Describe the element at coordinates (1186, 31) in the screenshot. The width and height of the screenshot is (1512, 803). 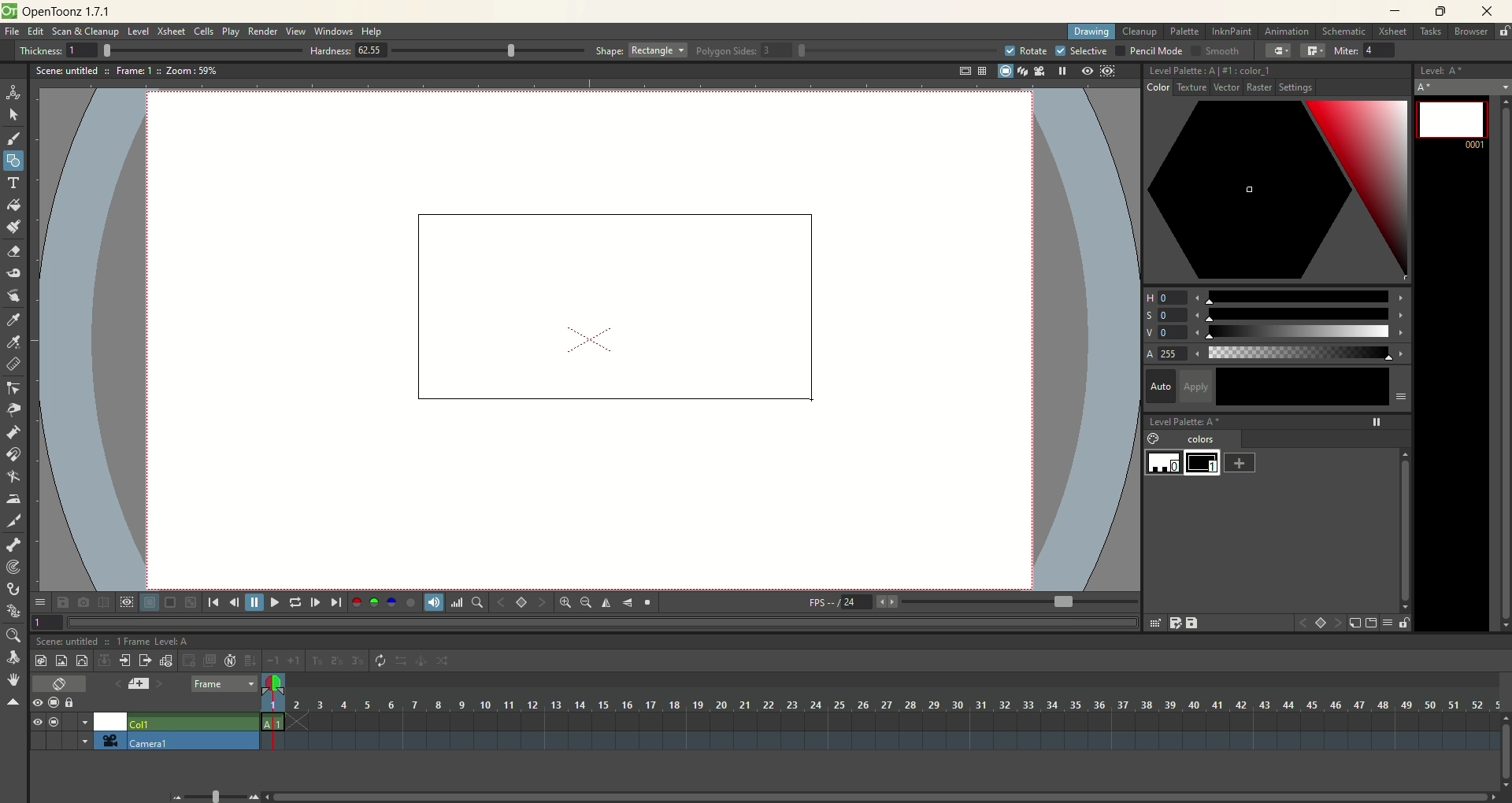
I see `palette` at that location.